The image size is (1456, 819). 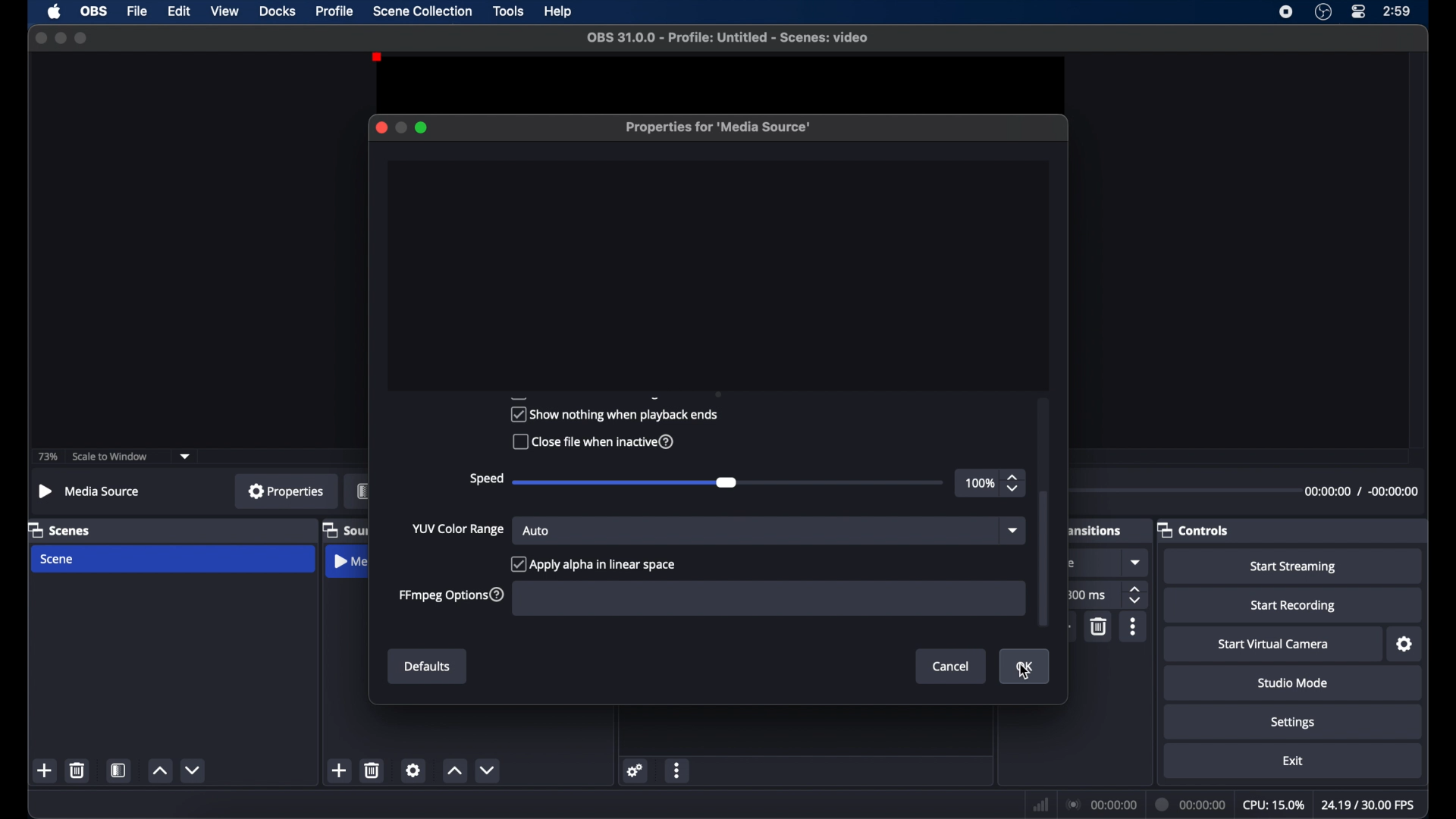 I want to click on stepper buttons, so click(x=1136, y=595).